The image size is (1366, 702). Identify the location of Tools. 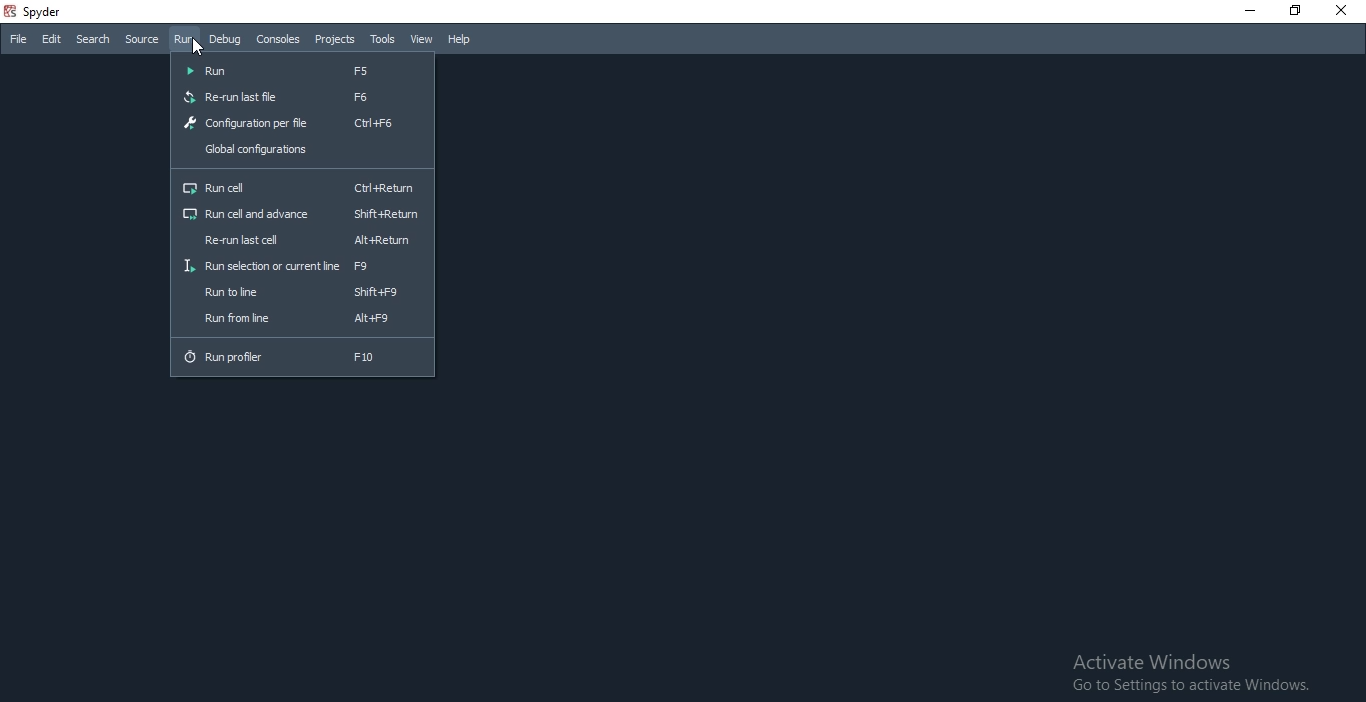
(381, 39).